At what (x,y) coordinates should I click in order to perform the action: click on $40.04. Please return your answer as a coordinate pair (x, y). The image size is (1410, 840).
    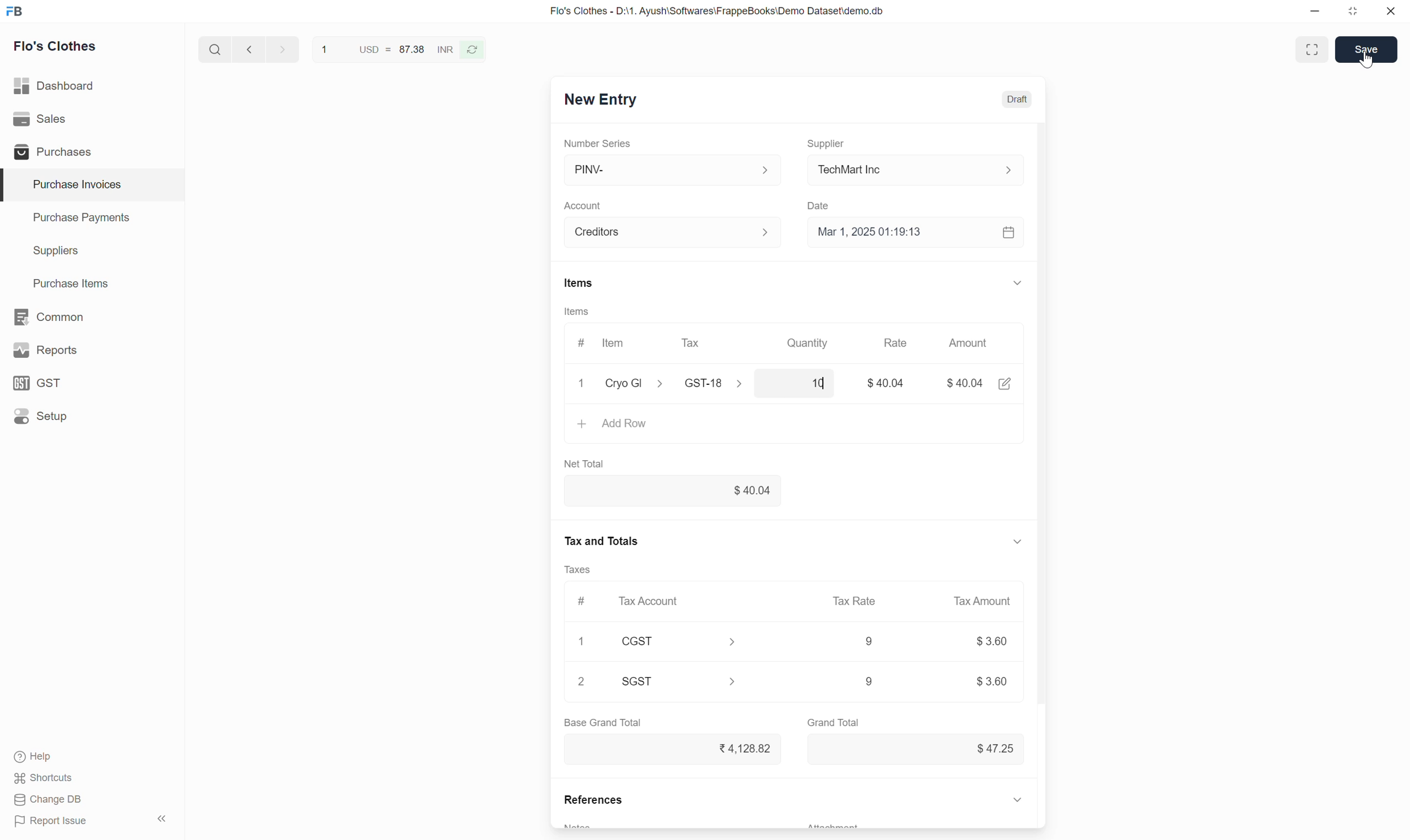
    Looking at the image, I should click on (890, 383).